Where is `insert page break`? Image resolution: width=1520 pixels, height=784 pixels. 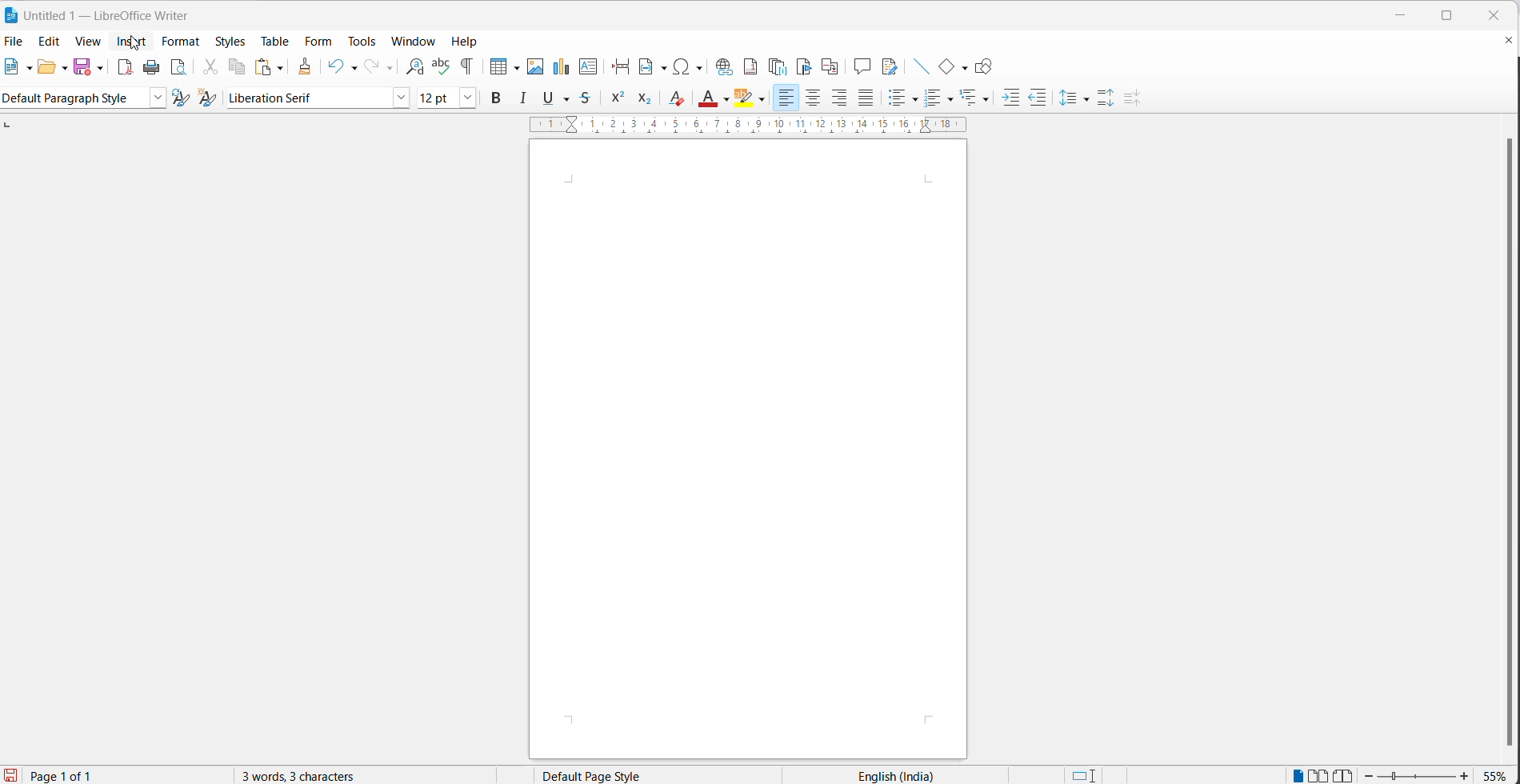 insert page break is located at coordinates (620, 67).